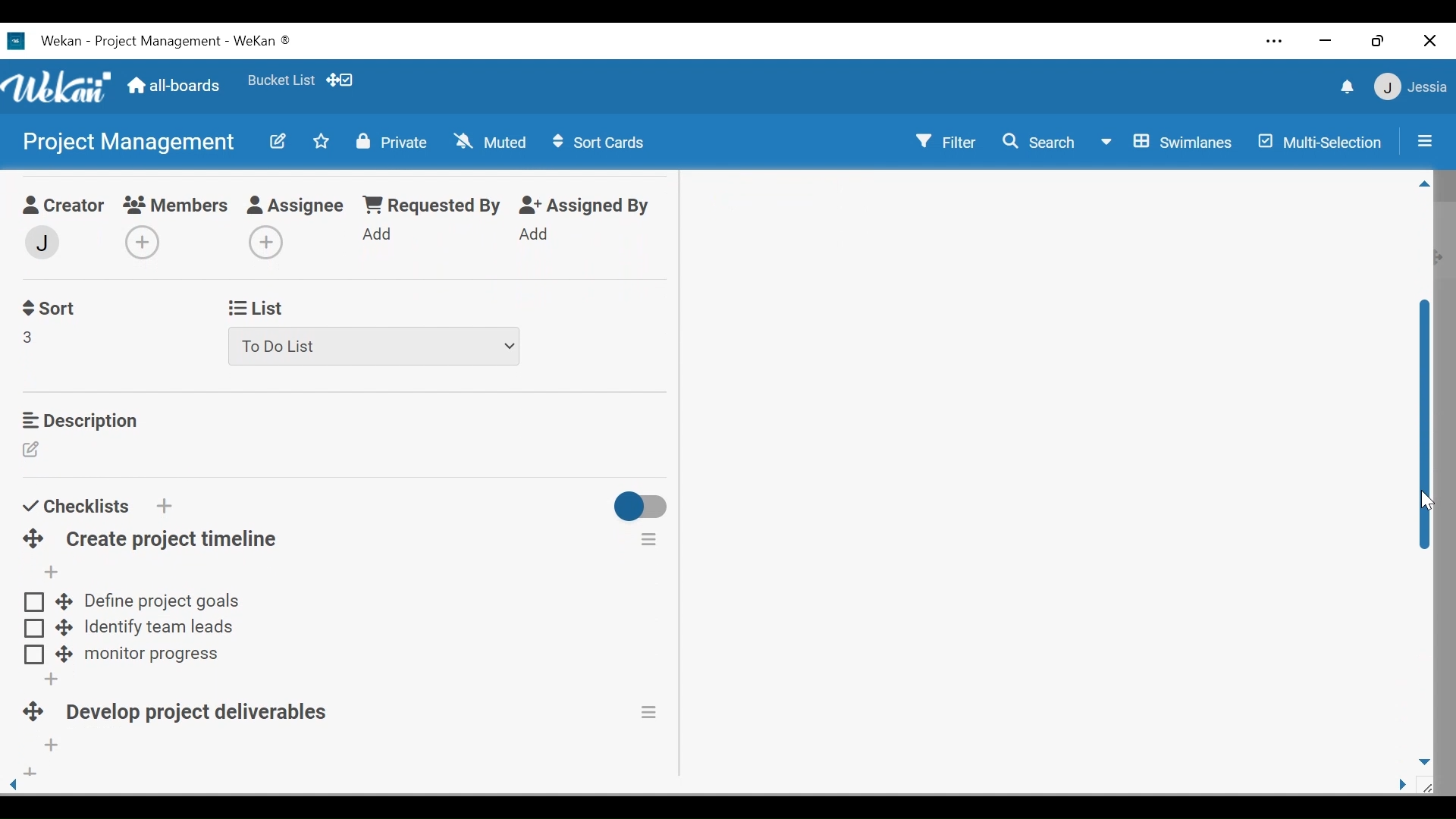  Describe the element at coordinates (1426, 758) in the screenshot. I see `page down` at that location.